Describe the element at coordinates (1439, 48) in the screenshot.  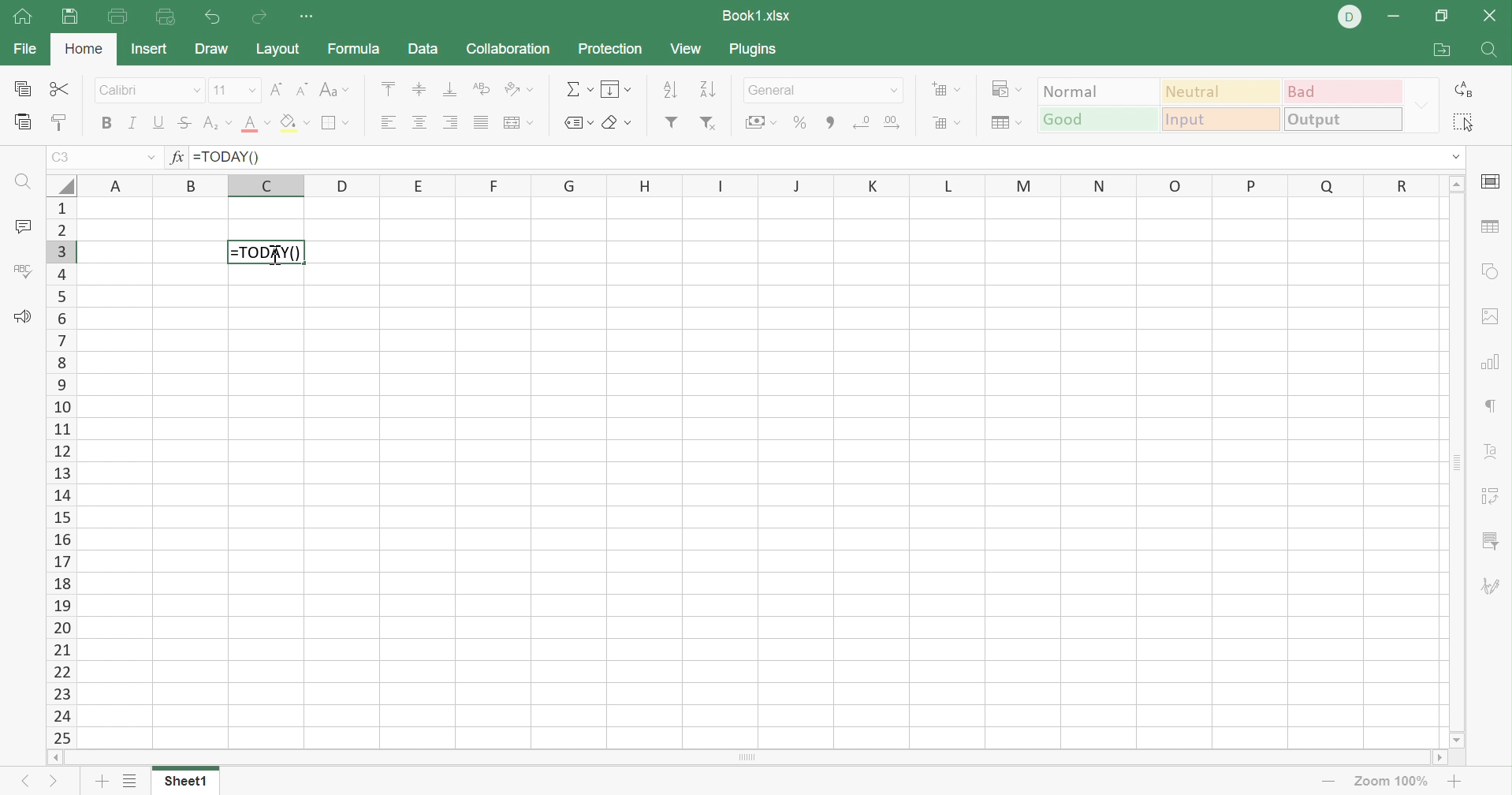
I see `Open file location` at that location.